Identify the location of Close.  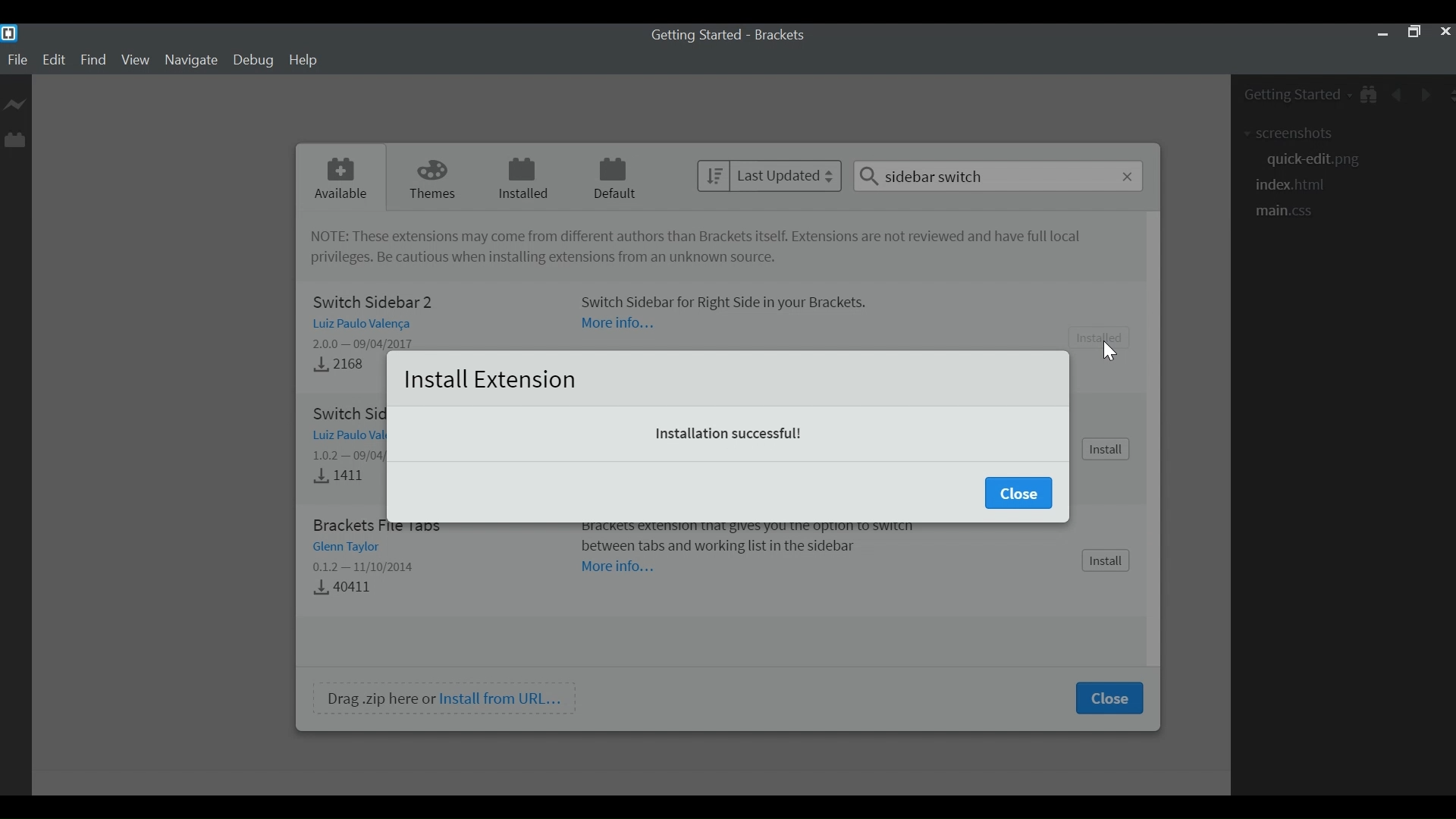
(1018, 493).